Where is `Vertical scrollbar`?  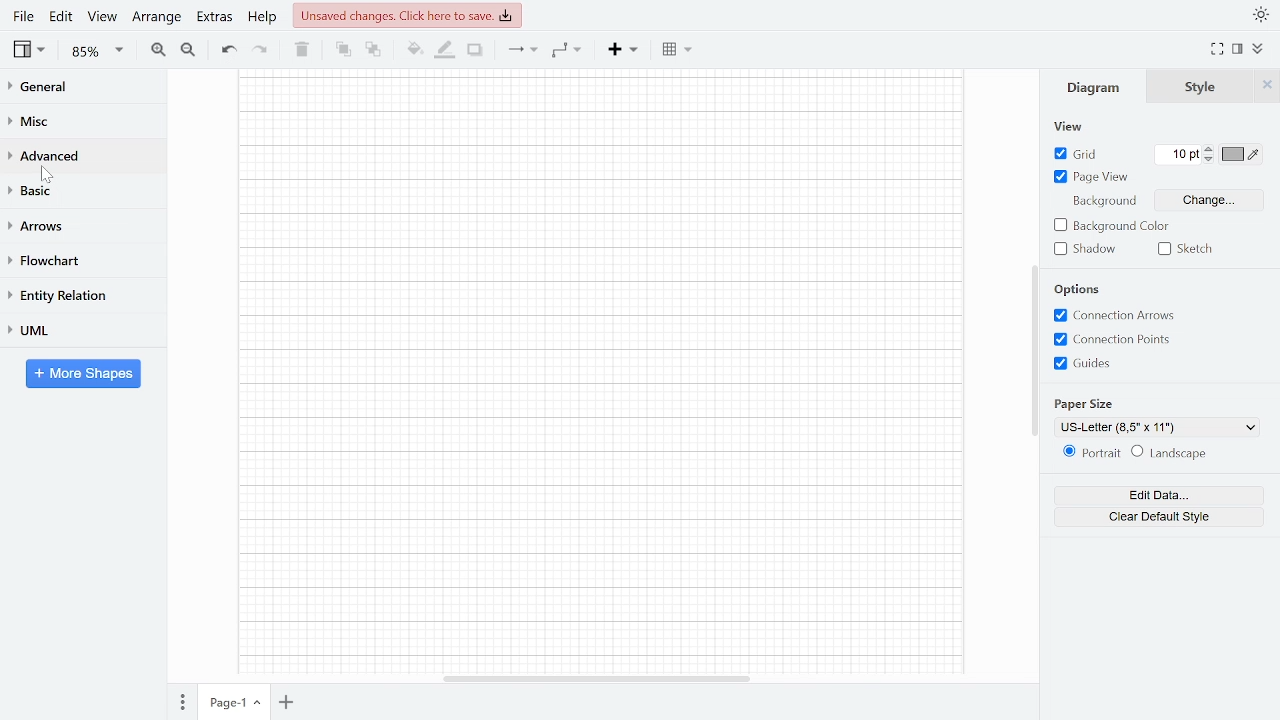
Vertical scrollbar is located at coordinates (1034, 350).